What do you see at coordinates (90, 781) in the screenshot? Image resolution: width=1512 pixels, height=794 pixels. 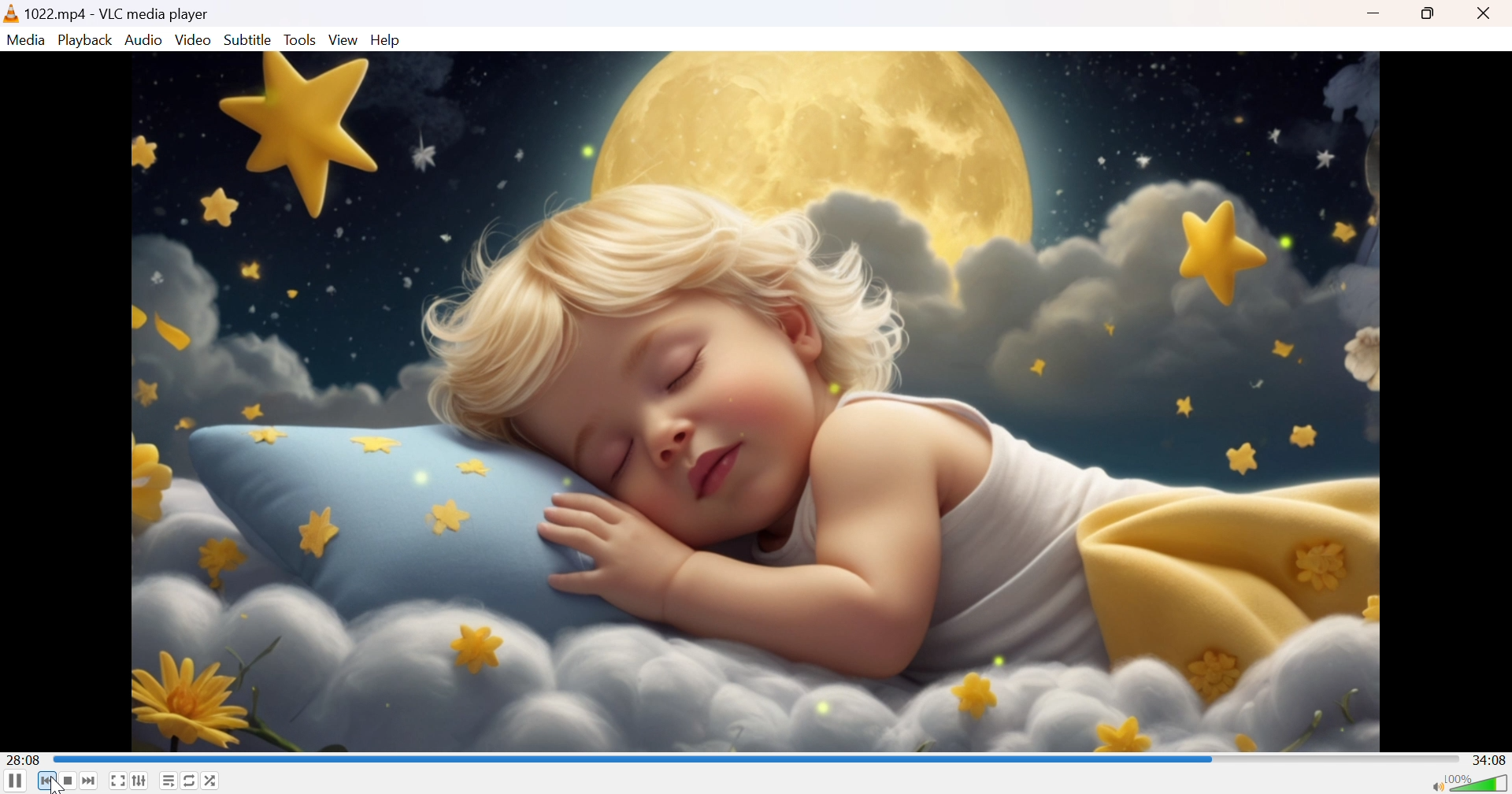 I see `Next media in the playlist, skip forward when held` at bounding box center [90, 781].